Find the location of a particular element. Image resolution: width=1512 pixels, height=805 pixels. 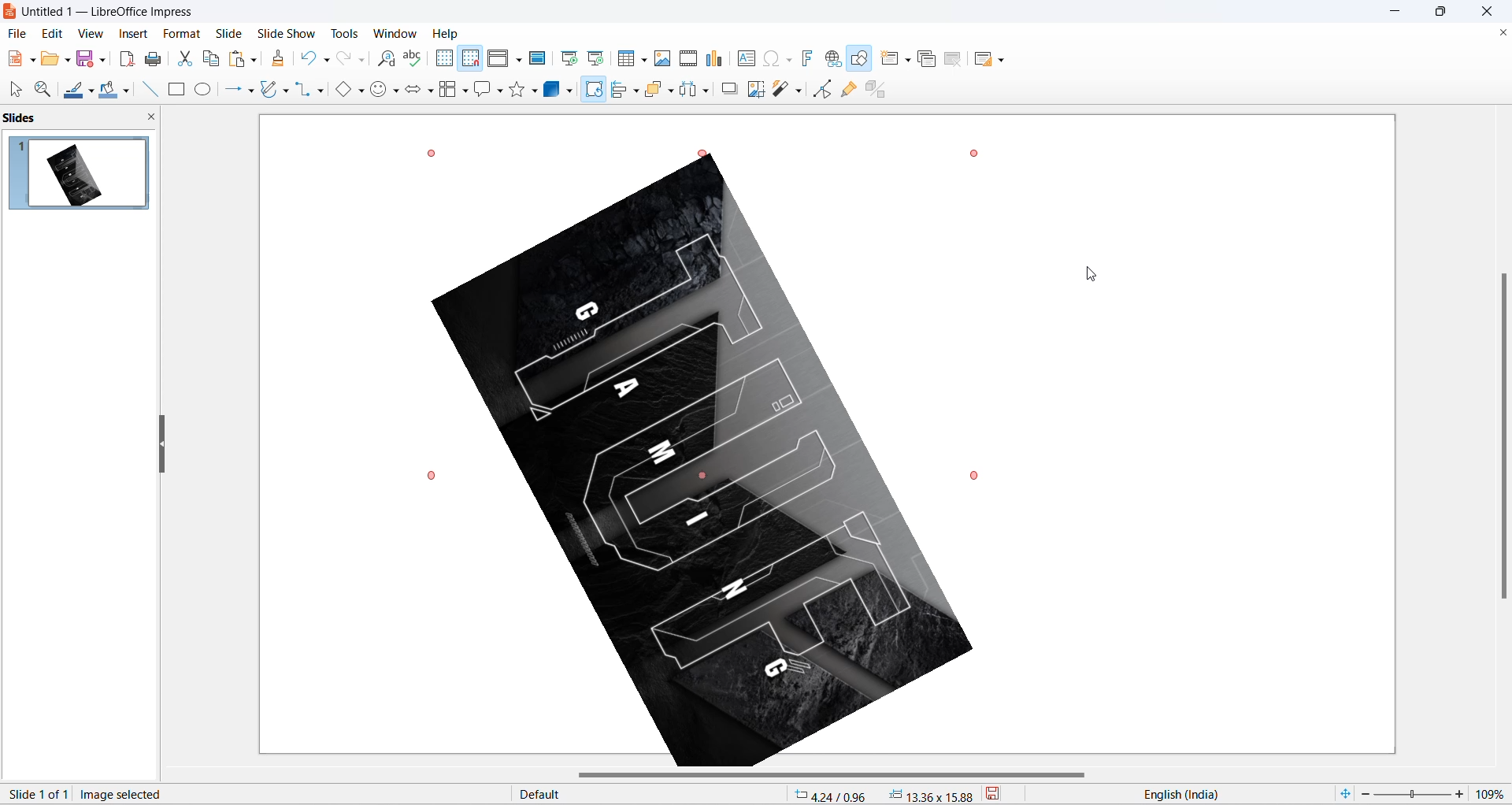

clone formatting is located at coordinates (282, 60).